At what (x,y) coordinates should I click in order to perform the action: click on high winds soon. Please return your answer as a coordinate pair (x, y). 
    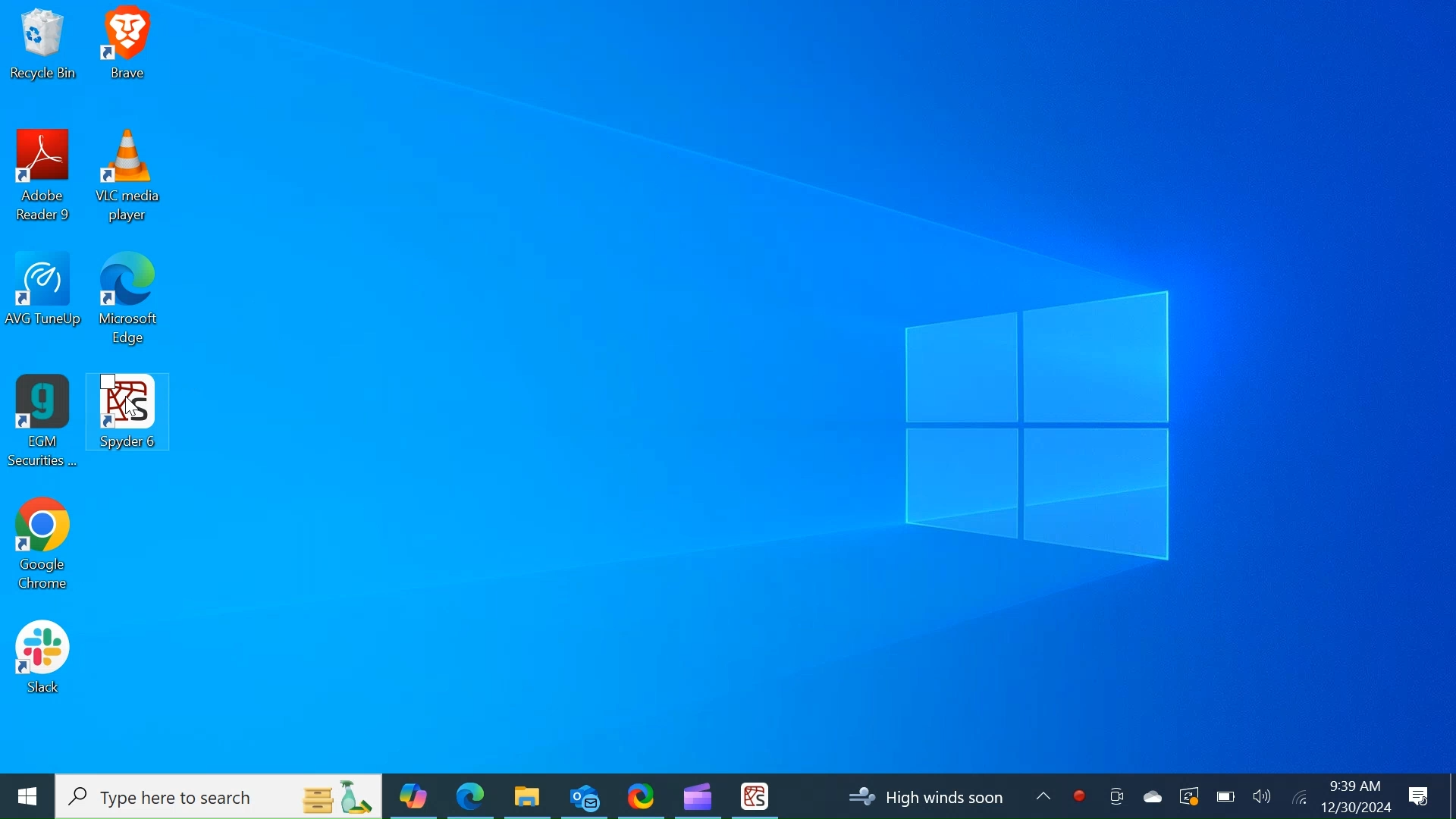
    Looking at the image, I should click on (934, 797).